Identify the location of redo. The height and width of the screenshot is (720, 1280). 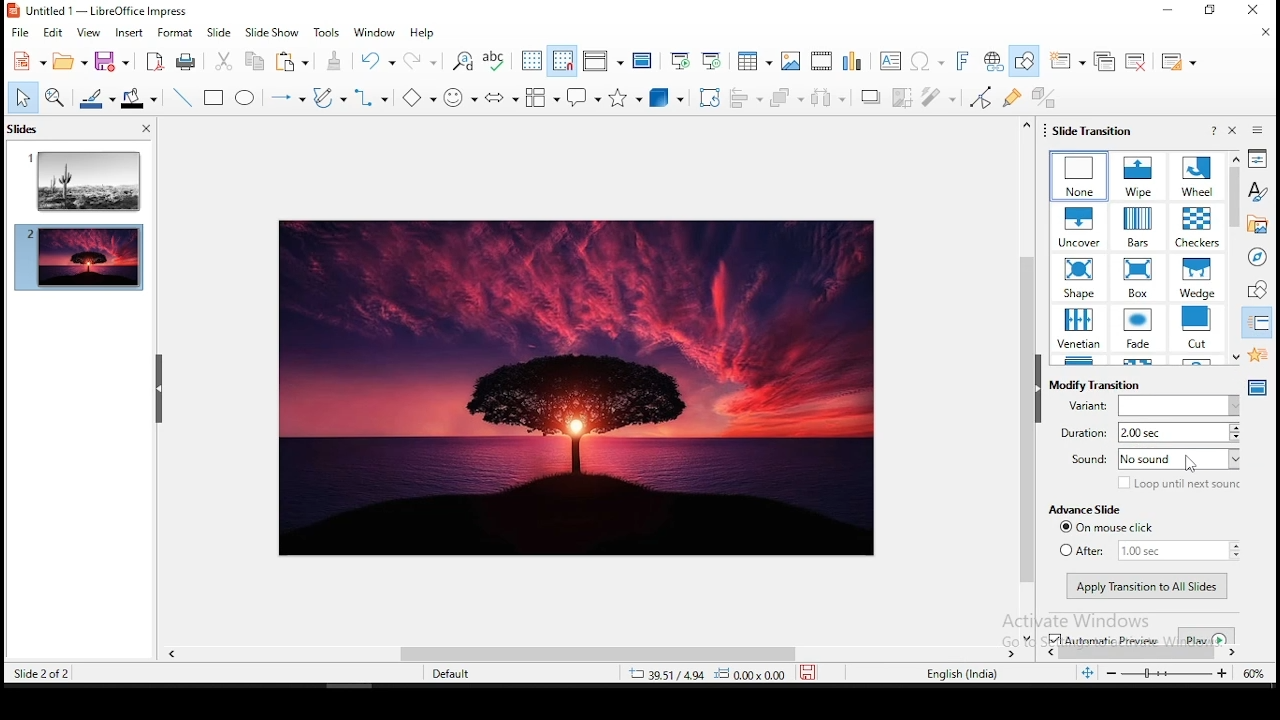
(423, 60).